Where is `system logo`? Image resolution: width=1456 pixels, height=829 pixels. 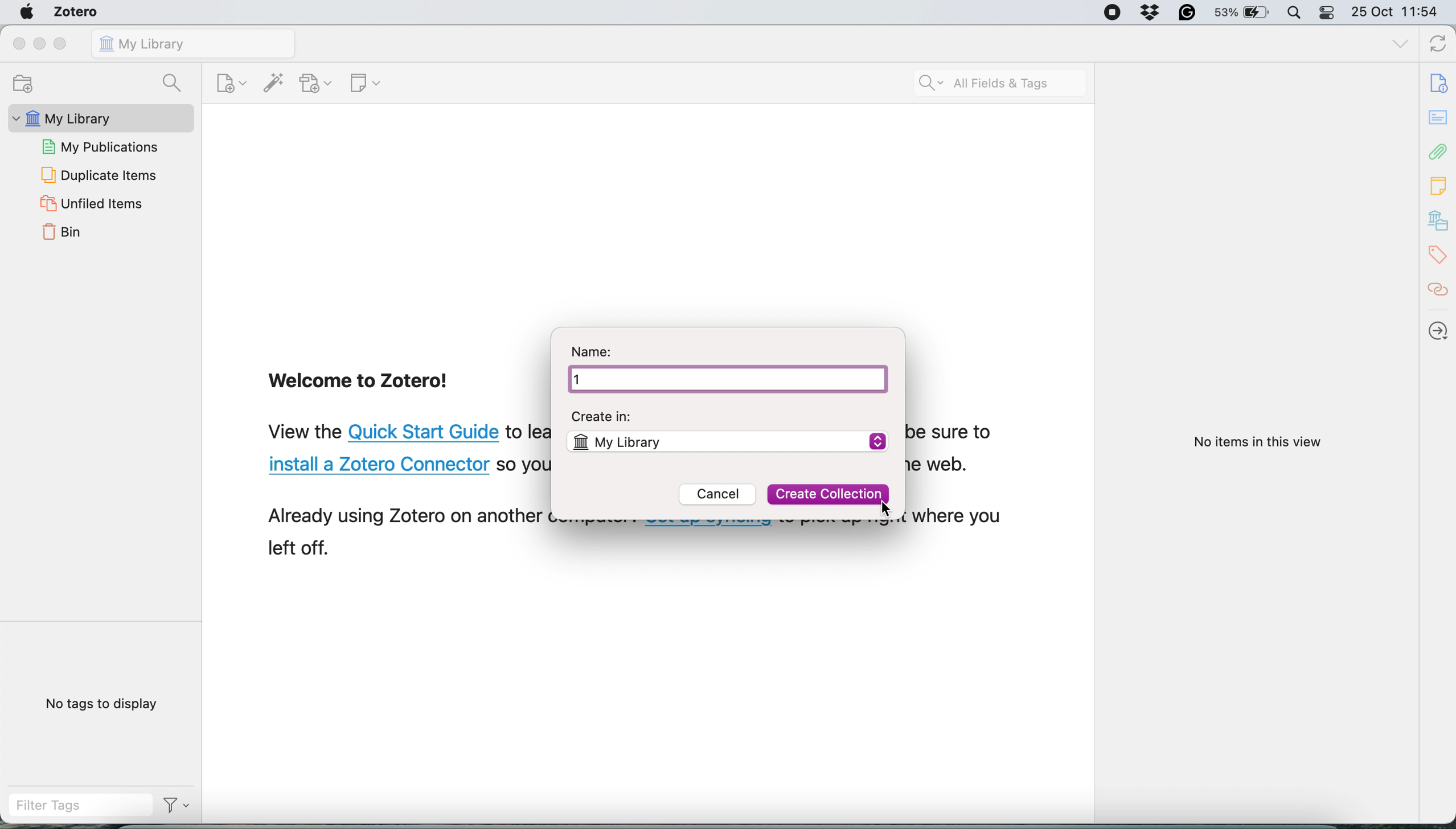
system logo is located at coordinates (25, 12).